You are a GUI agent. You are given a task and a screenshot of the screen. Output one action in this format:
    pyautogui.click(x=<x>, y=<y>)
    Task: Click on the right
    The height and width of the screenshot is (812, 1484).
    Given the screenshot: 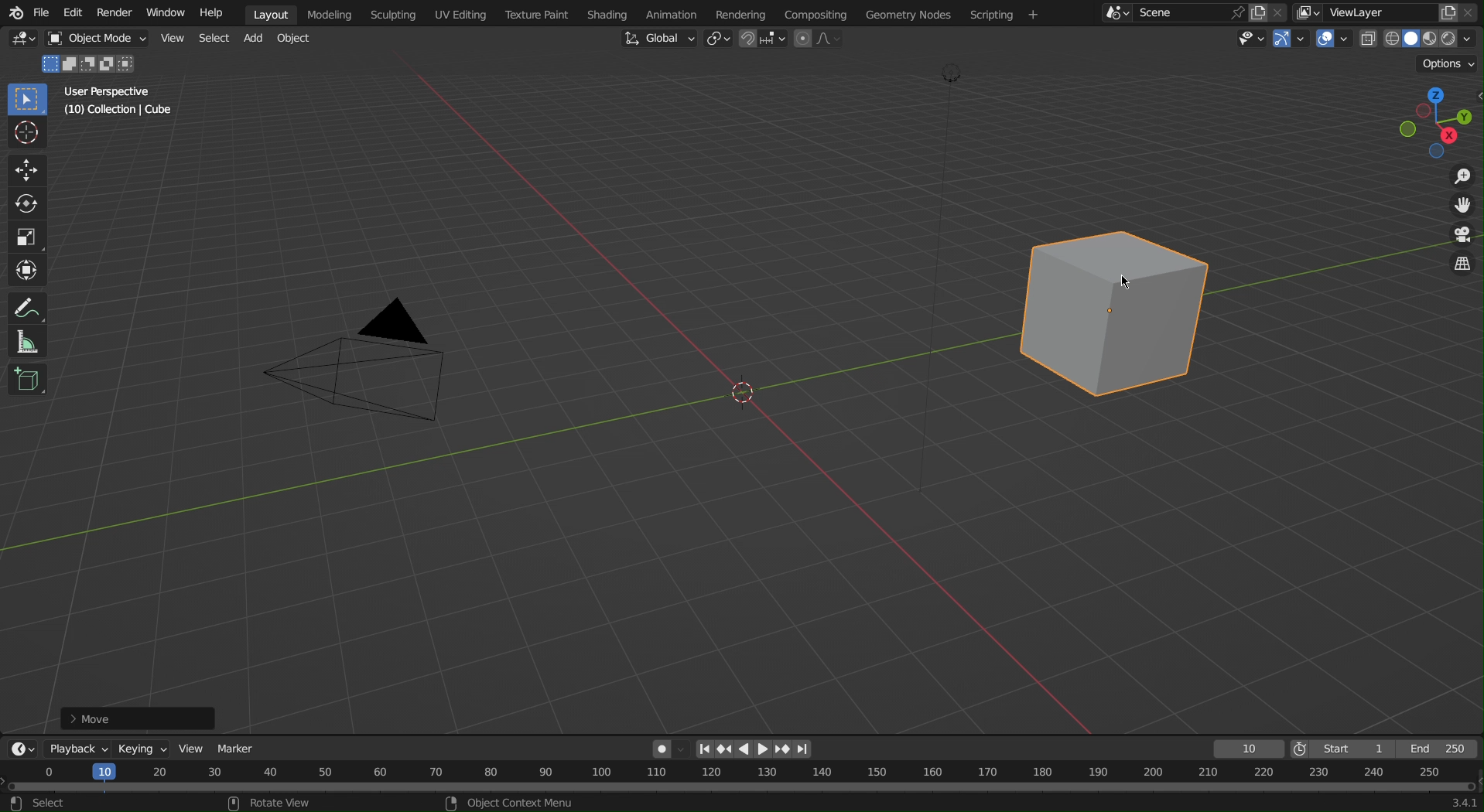 What is the action you would take?
    pyautogui.click(x=764, y=749)
    